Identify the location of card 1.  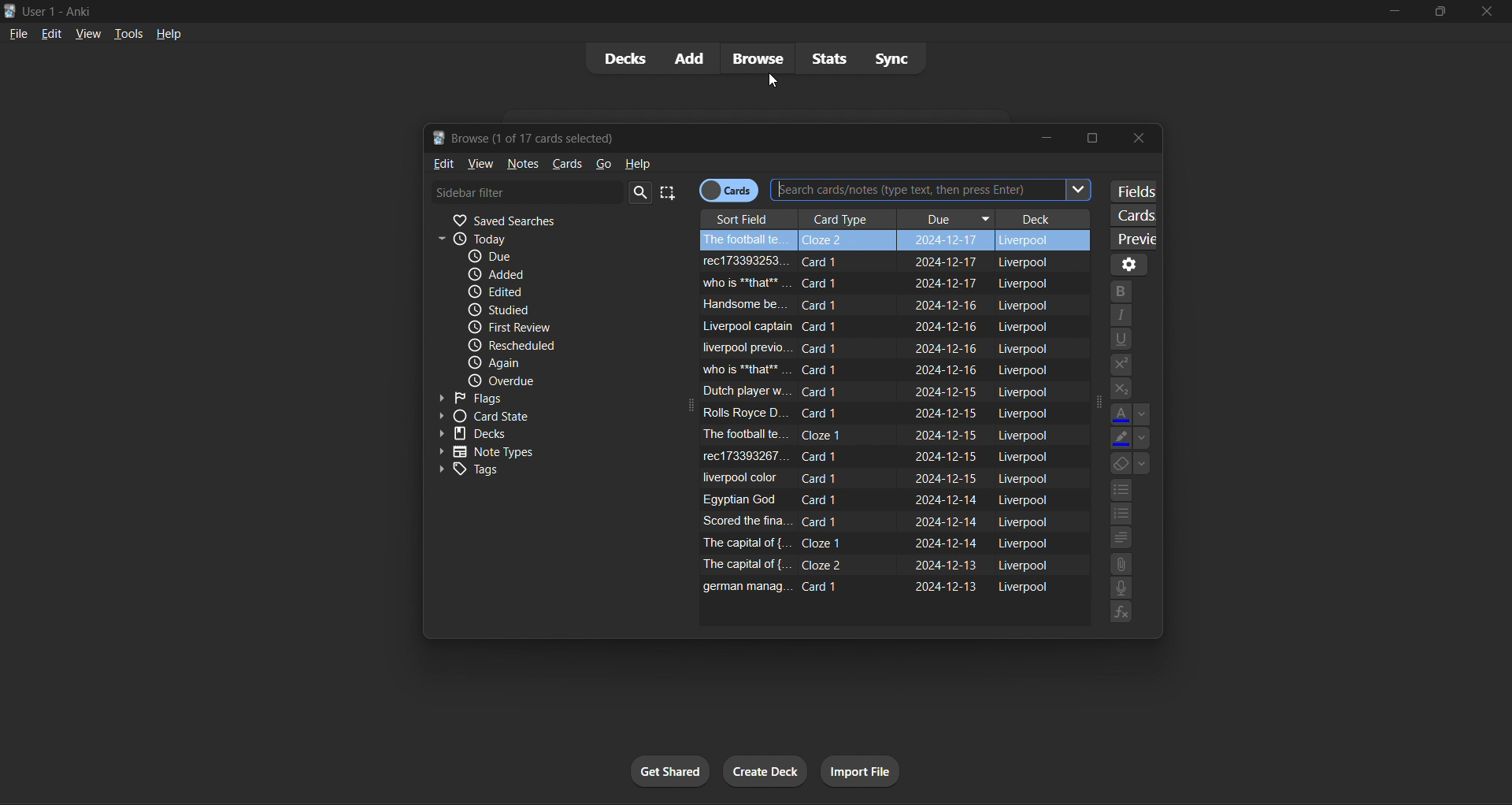
(824, 305).